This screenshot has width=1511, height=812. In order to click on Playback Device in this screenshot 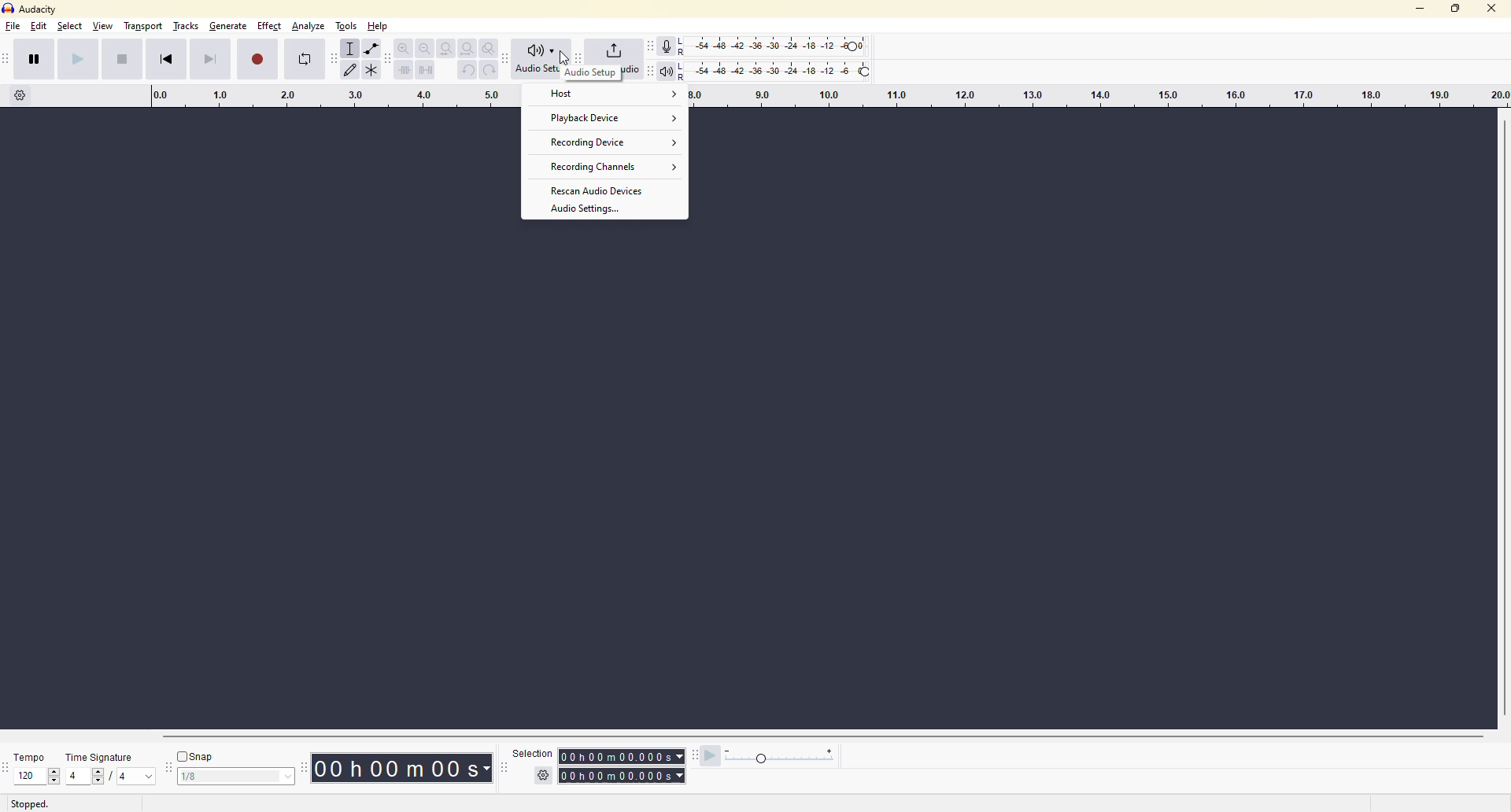, I will do `click(614, 118)`.